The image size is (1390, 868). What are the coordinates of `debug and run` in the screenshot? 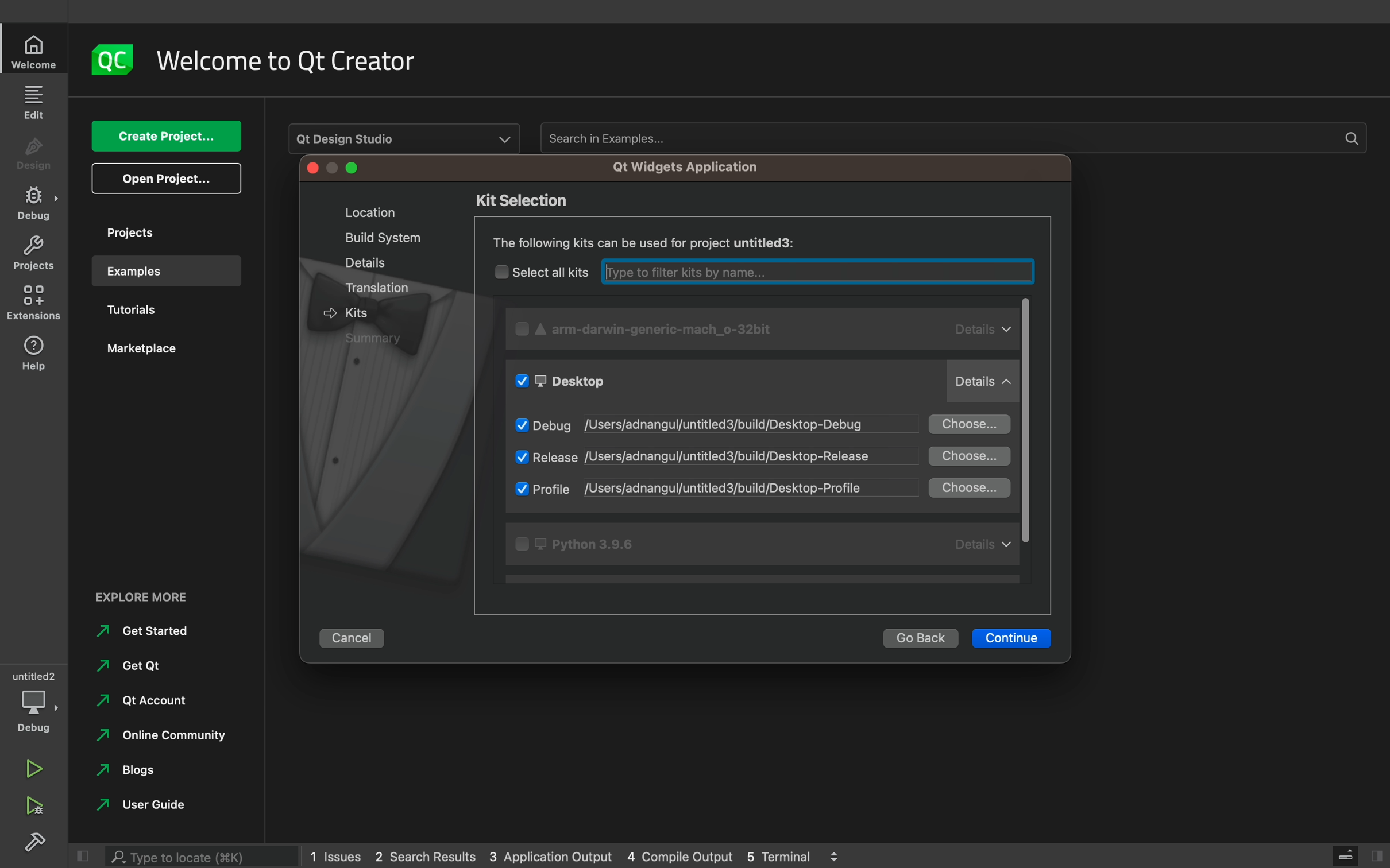 It's located at (34, 805).